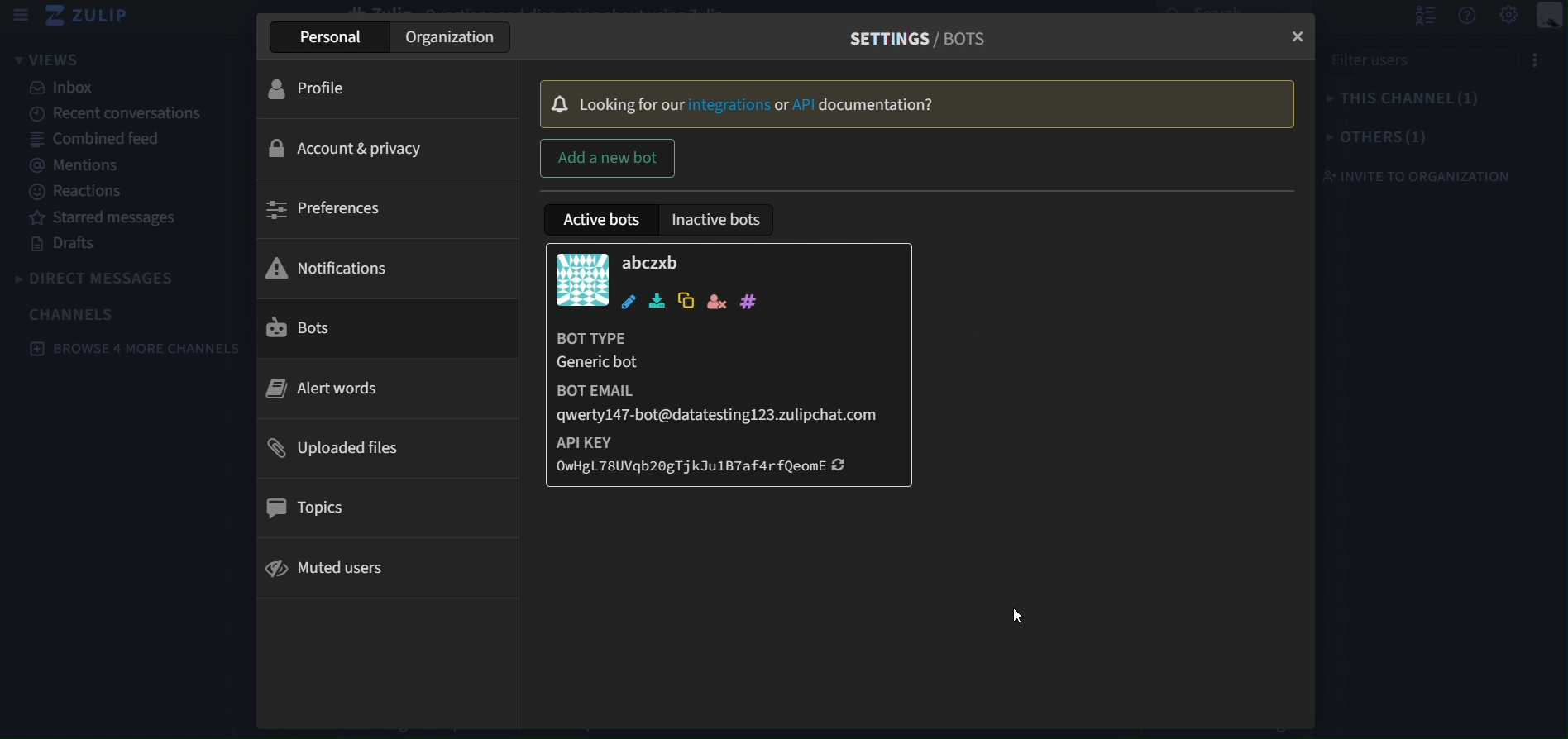  What do you see at coordinates (918, 38) in the screenshot?
I see `settings/ Bots` at bounding box center [918, 38].